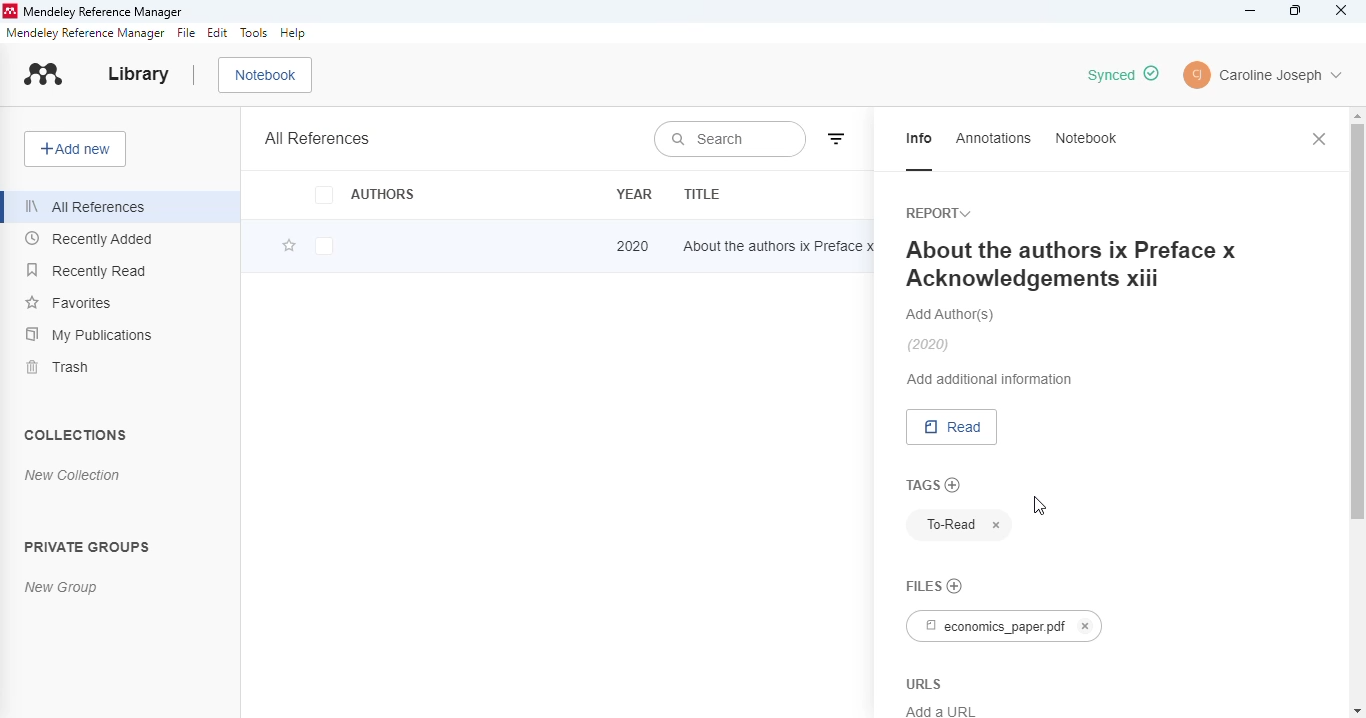 Image resolution: width=1366 pixels, height=718 pixels. Describe the element at coordinates (927, 681) in the screenshot. I see `URLS` at that location.